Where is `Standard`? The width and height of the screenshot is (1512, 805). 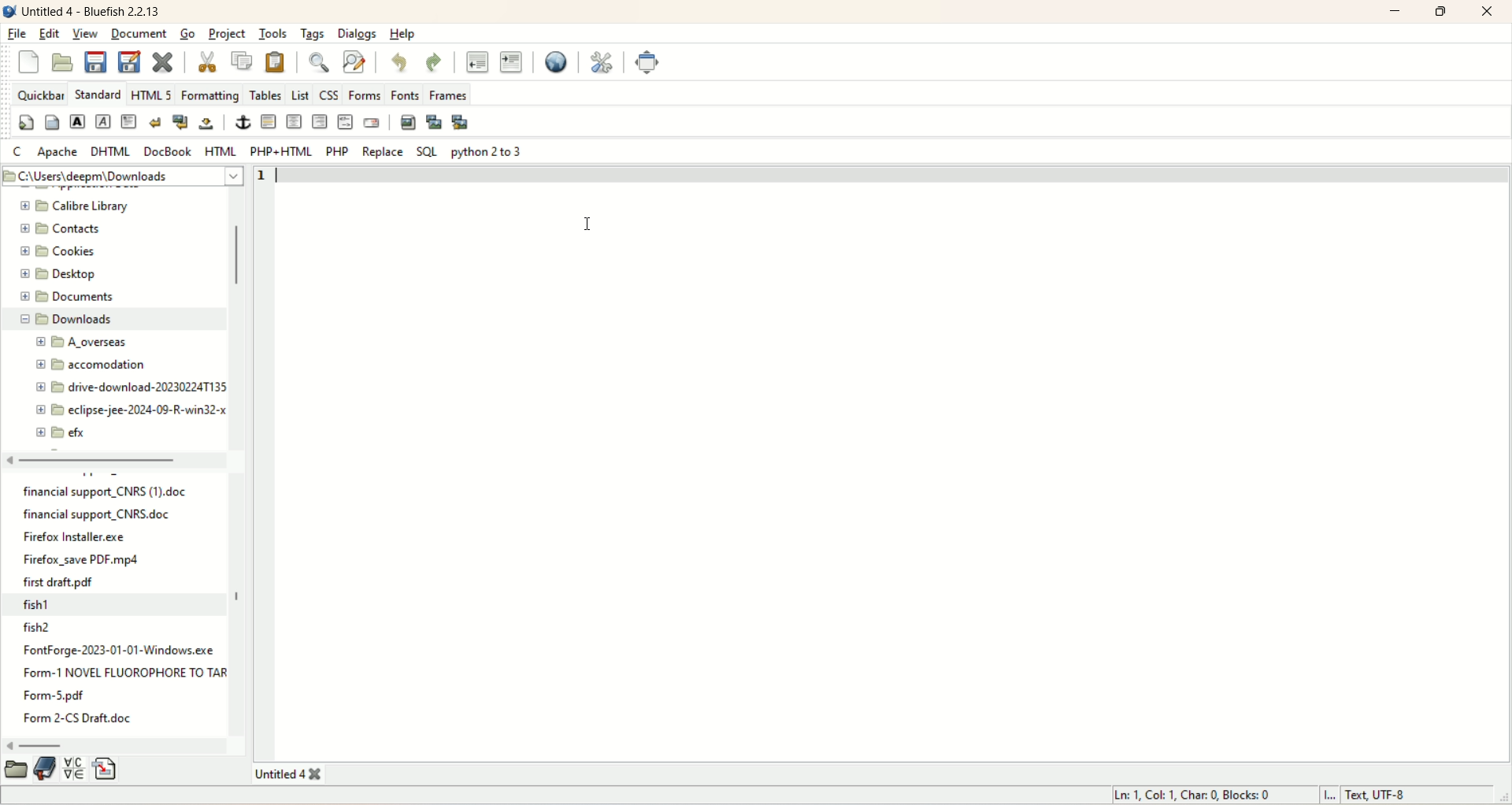 Standard is located at coordinates (97, 93).